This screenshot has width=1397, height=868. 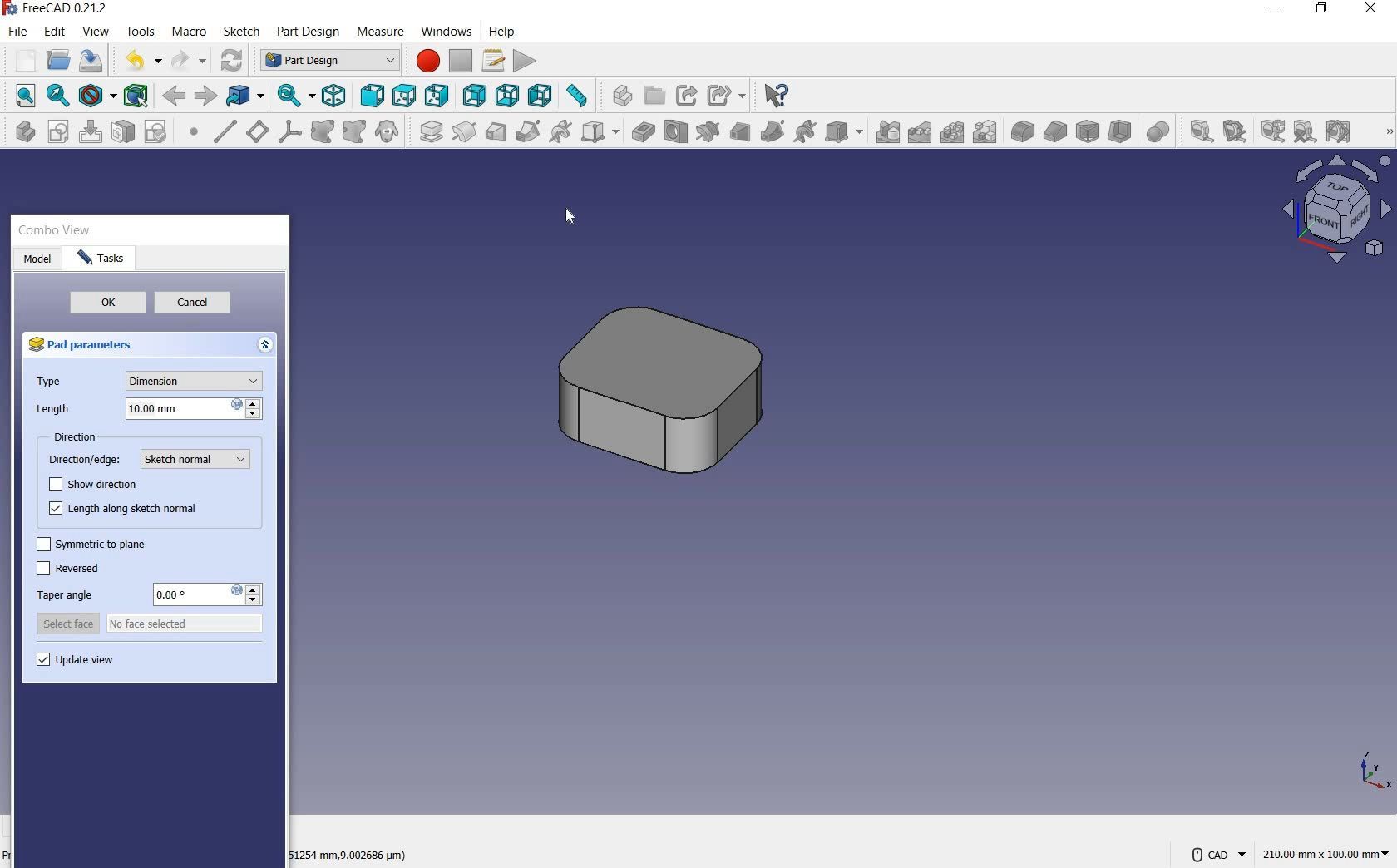 I want to click on subtractive loft, so click(x=739, y=131).